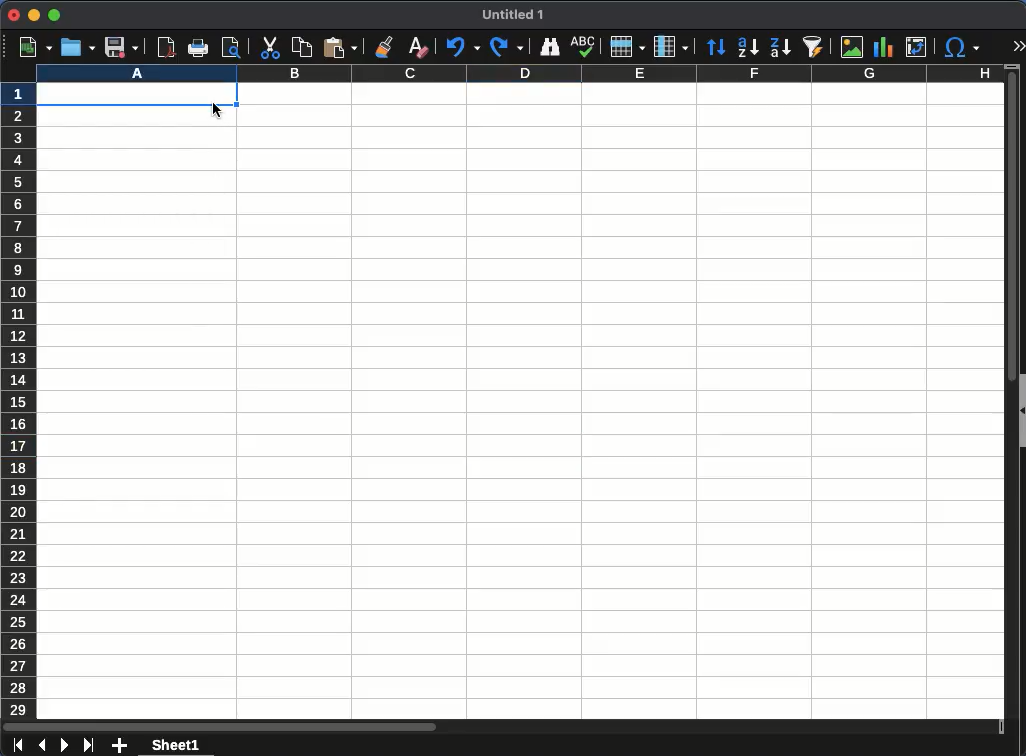 Image resolution: width=1026 pixels, height=756 pixels. What do you see at coordinates (78, 48) in the screenshot?
I see `open` at bounding box center [78, 48].